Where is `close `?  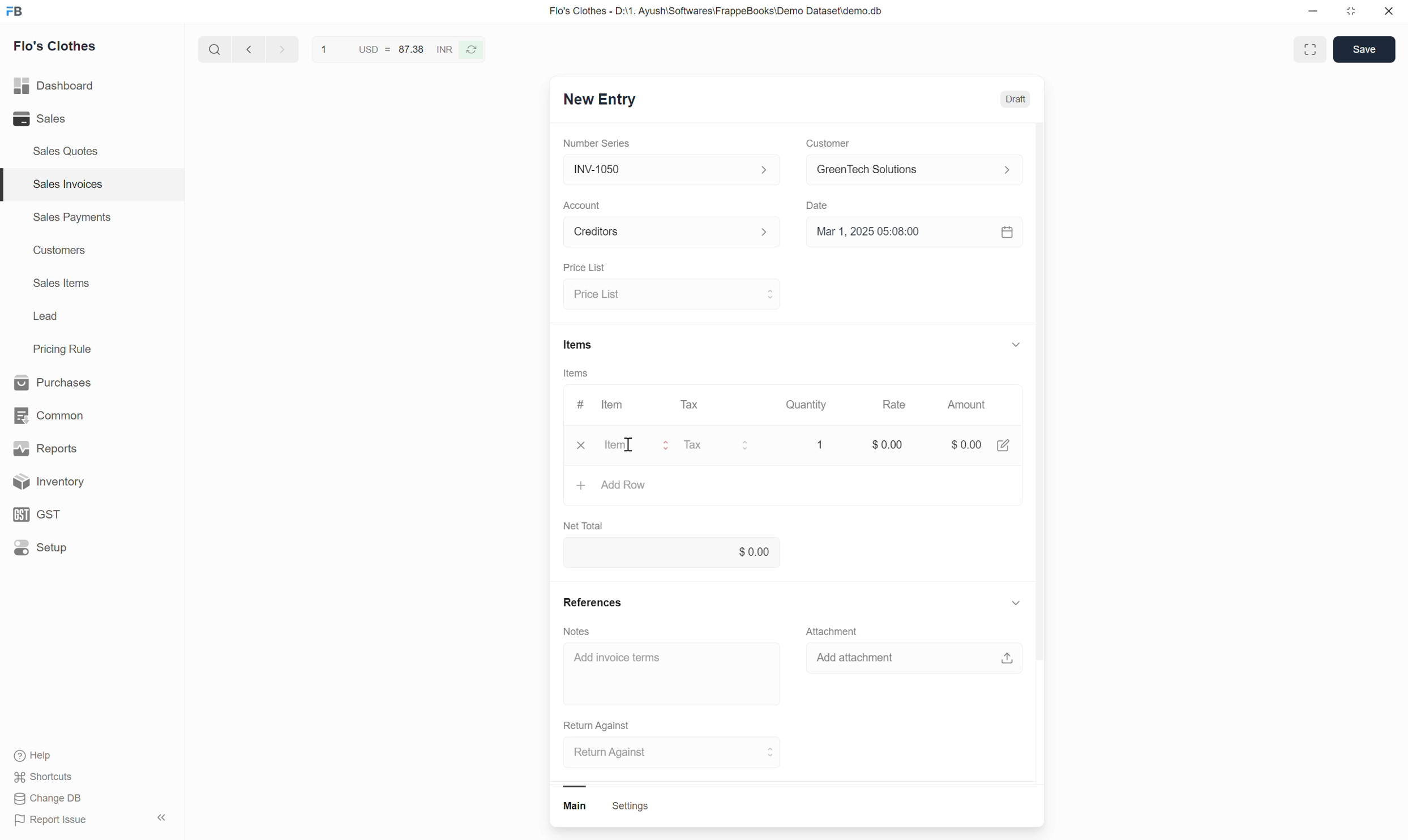 close  is located at coordinates (1390, 12).